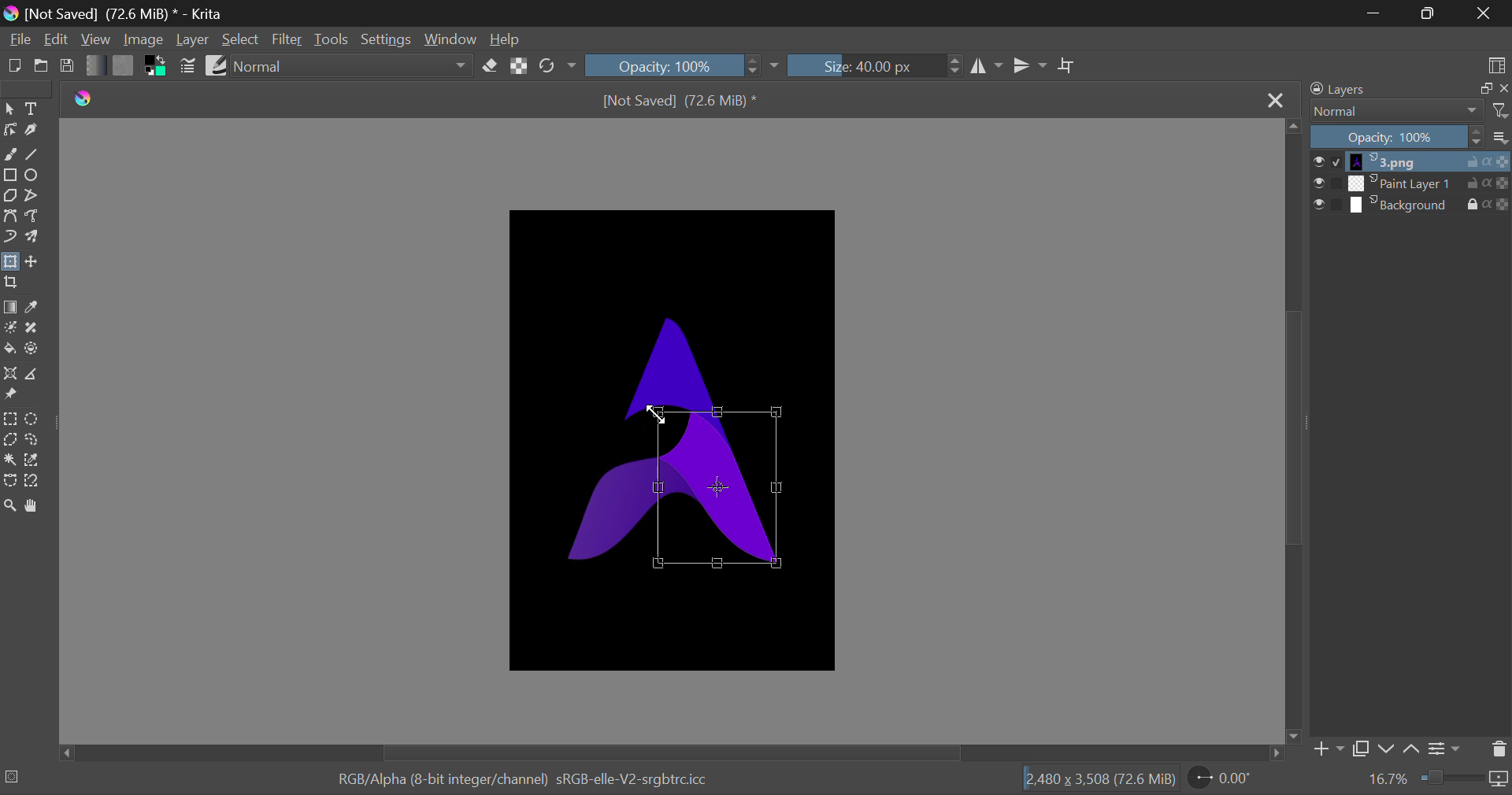  Describe the element at coordinates (10, 460) in the screenshot. I see `Cursor on Continuous Selection` at that location.